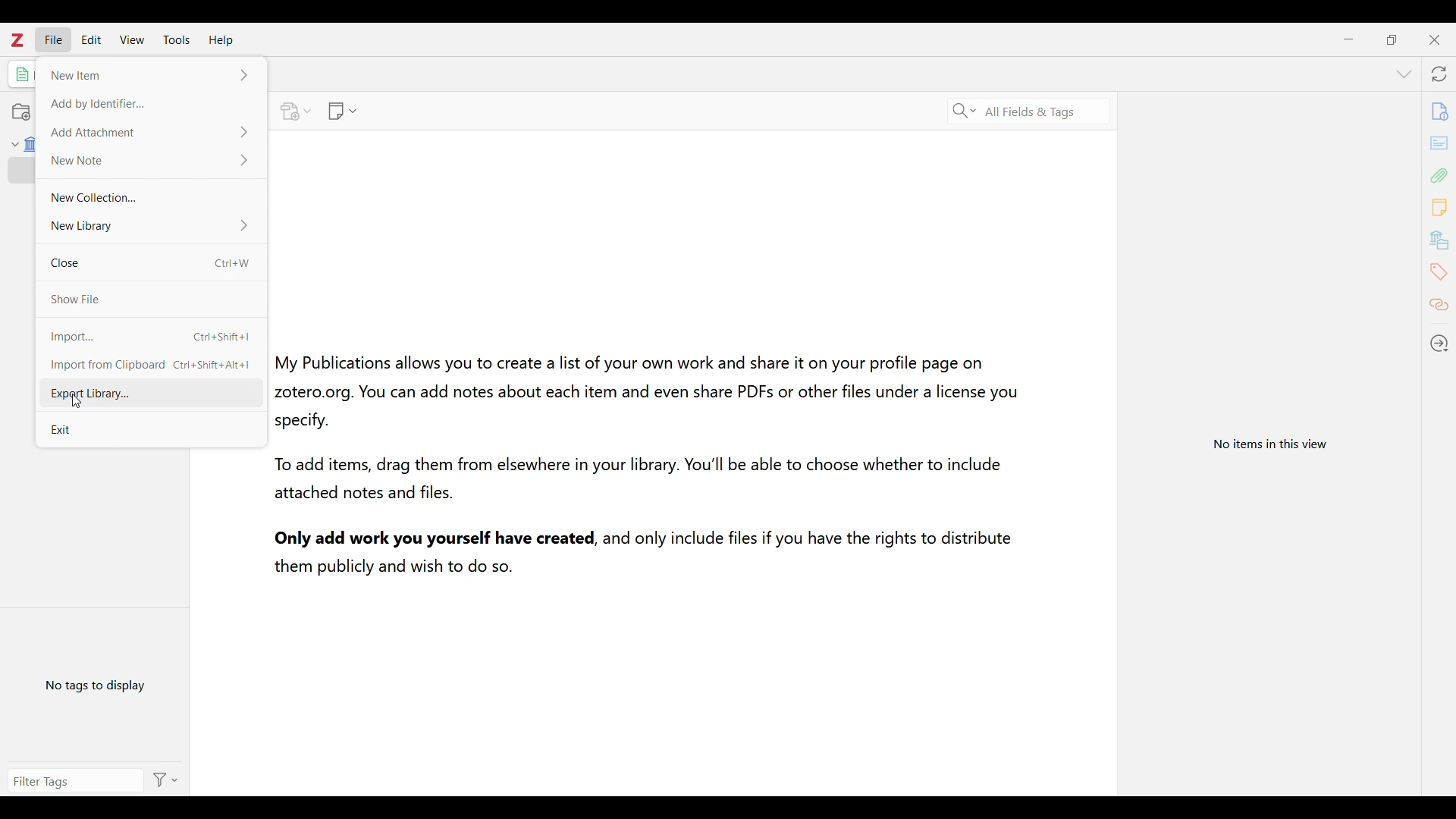 This screenshot has height=819, width=1456. What do you see at coordinates (96, 683) in the screenshot?
I see `No tags to display yet` at bounding box center [96, 683].